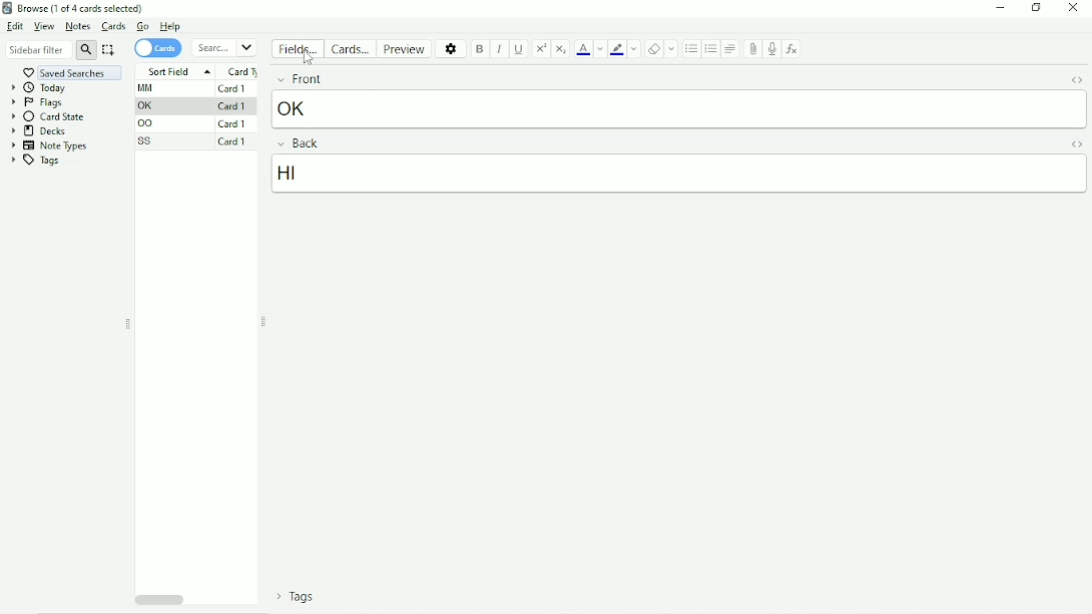  Describe the element at coordinates (232, 106) in the screenshot. I see `Card 1` at that location.